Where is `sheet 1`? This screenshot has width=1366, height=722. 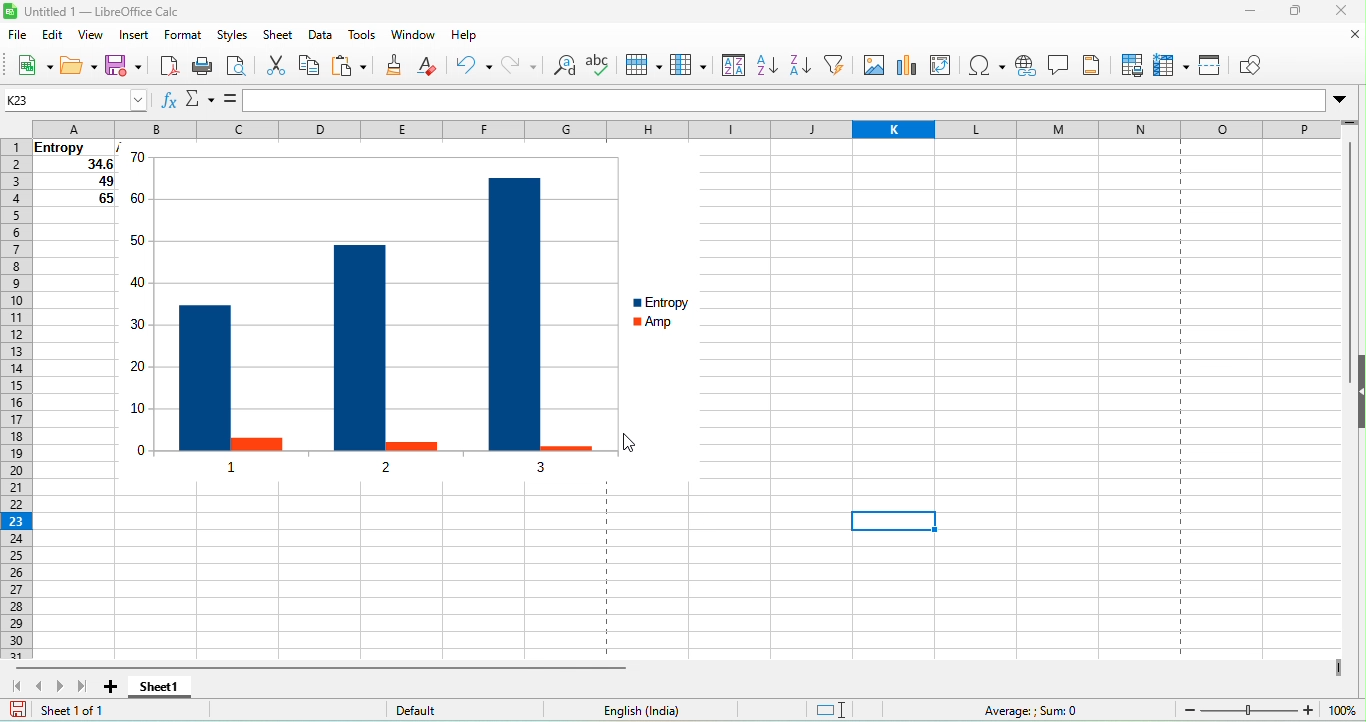 sheet 1 is located at coordinates (164, 687).